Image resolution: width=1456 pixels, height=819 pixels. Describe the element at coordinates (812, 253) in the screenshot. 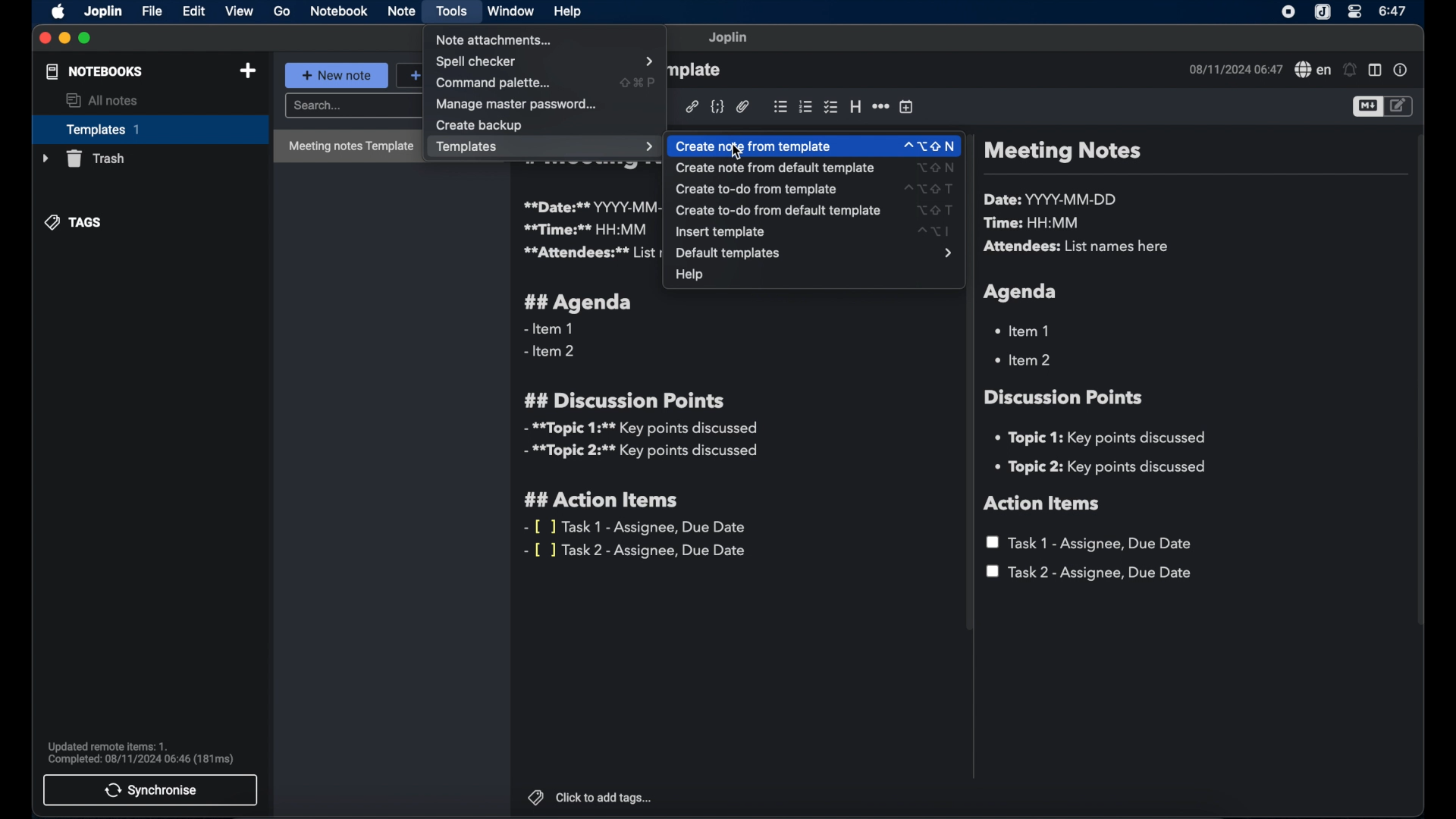

I see `default templates` at that location.